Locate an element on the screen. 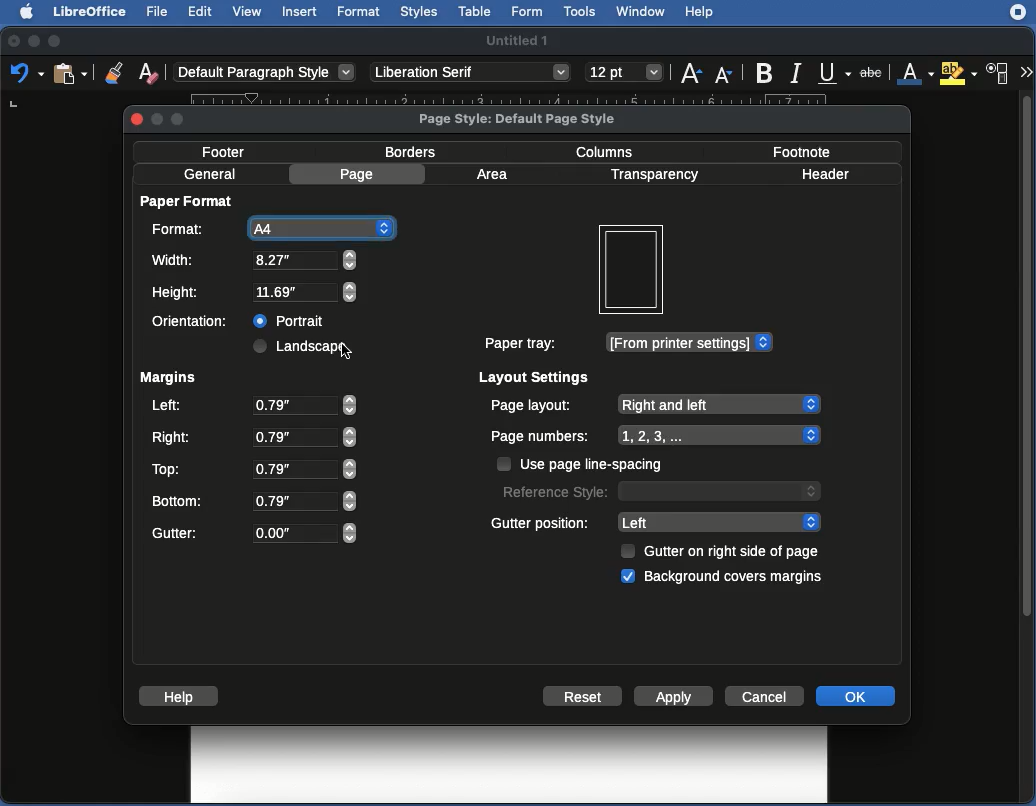 The image size is (1036, 806). Page is located at coordinates (359, 176).